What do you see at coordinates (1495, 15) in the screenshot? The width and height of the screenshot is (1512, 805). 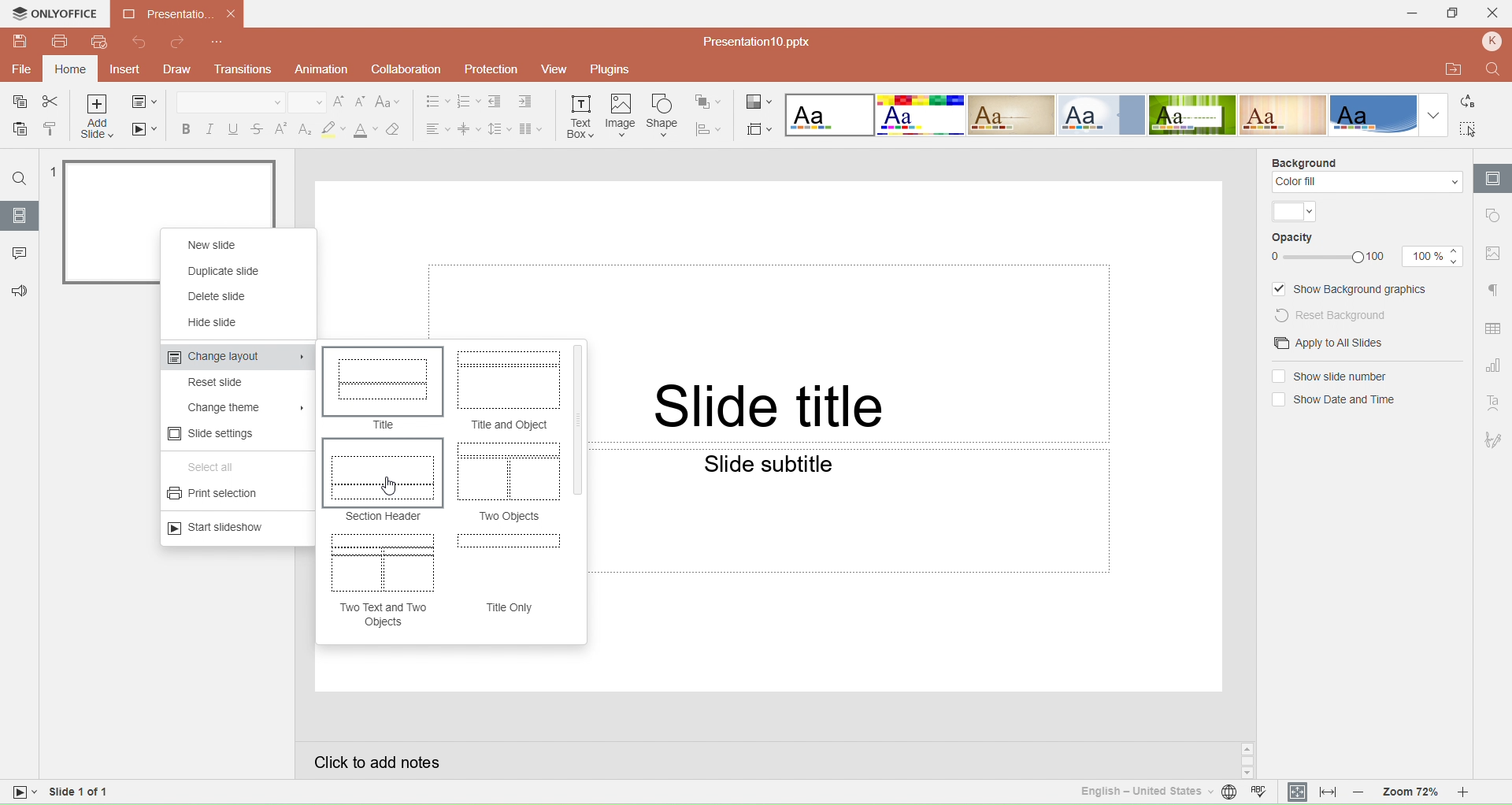 I see `Close` at bounding box center [1495, 15].